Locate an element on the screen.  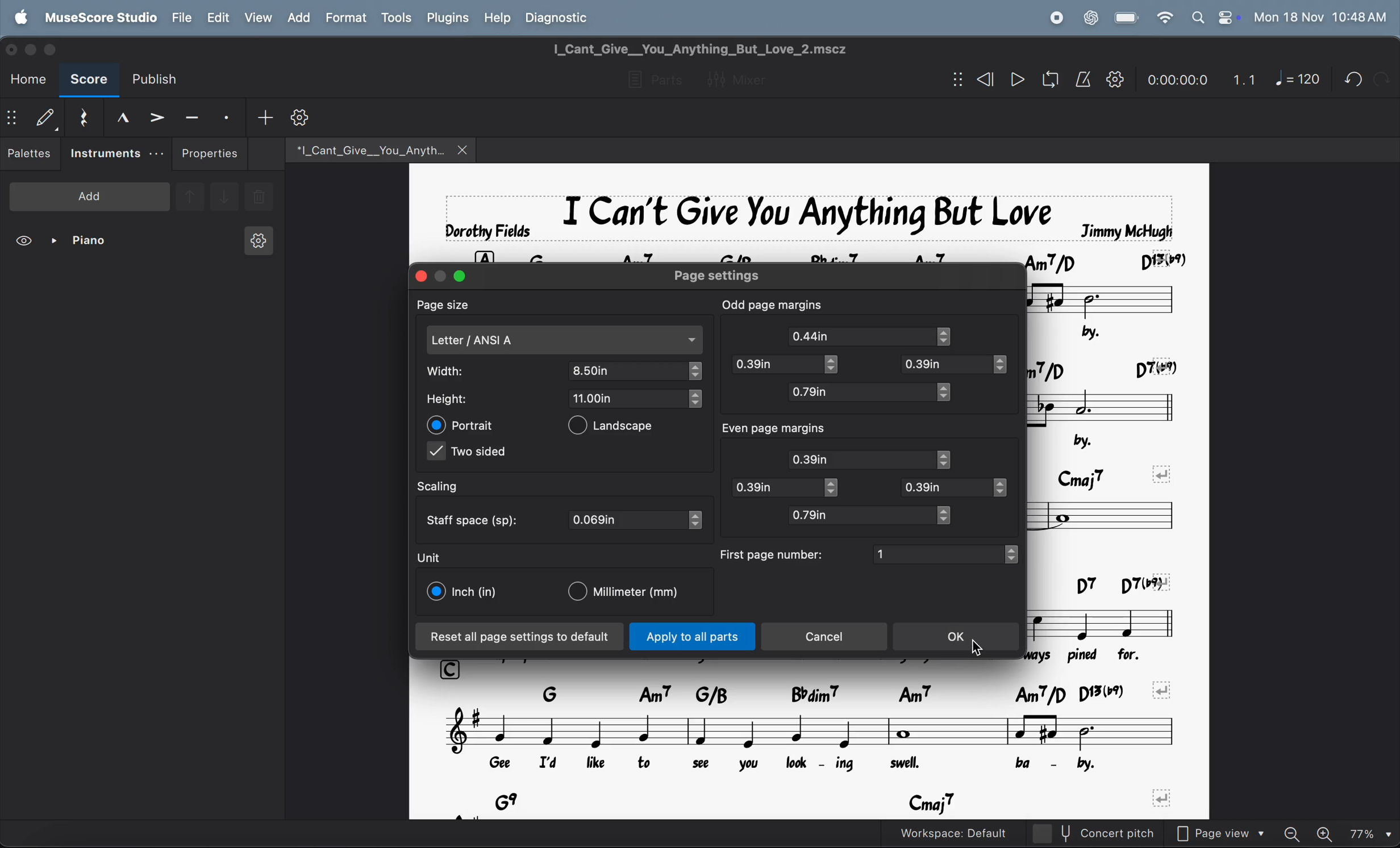
toggle is located at coordinates (951, 515).